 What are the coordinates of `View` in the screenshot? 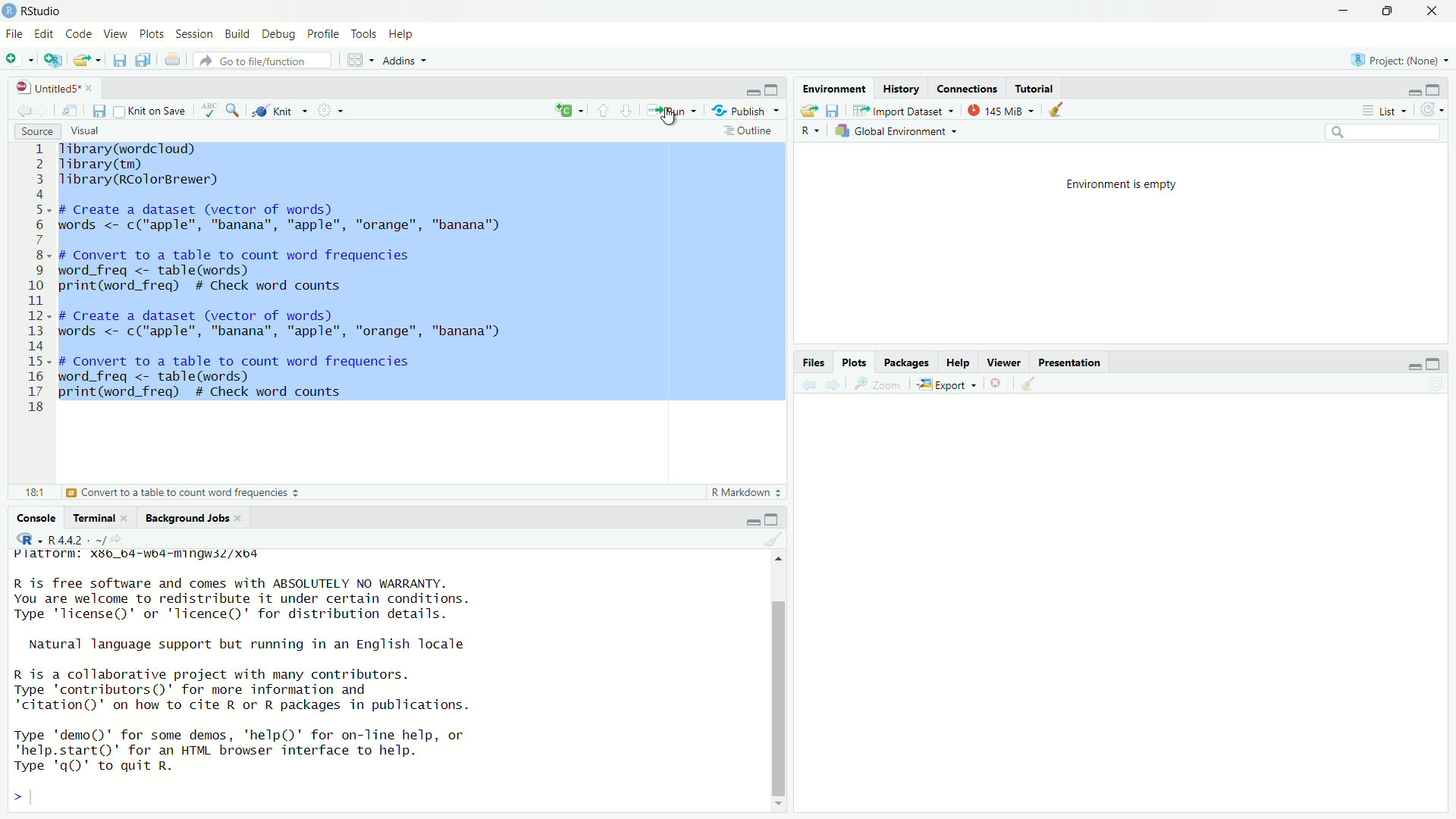 It's located at (115, 34).